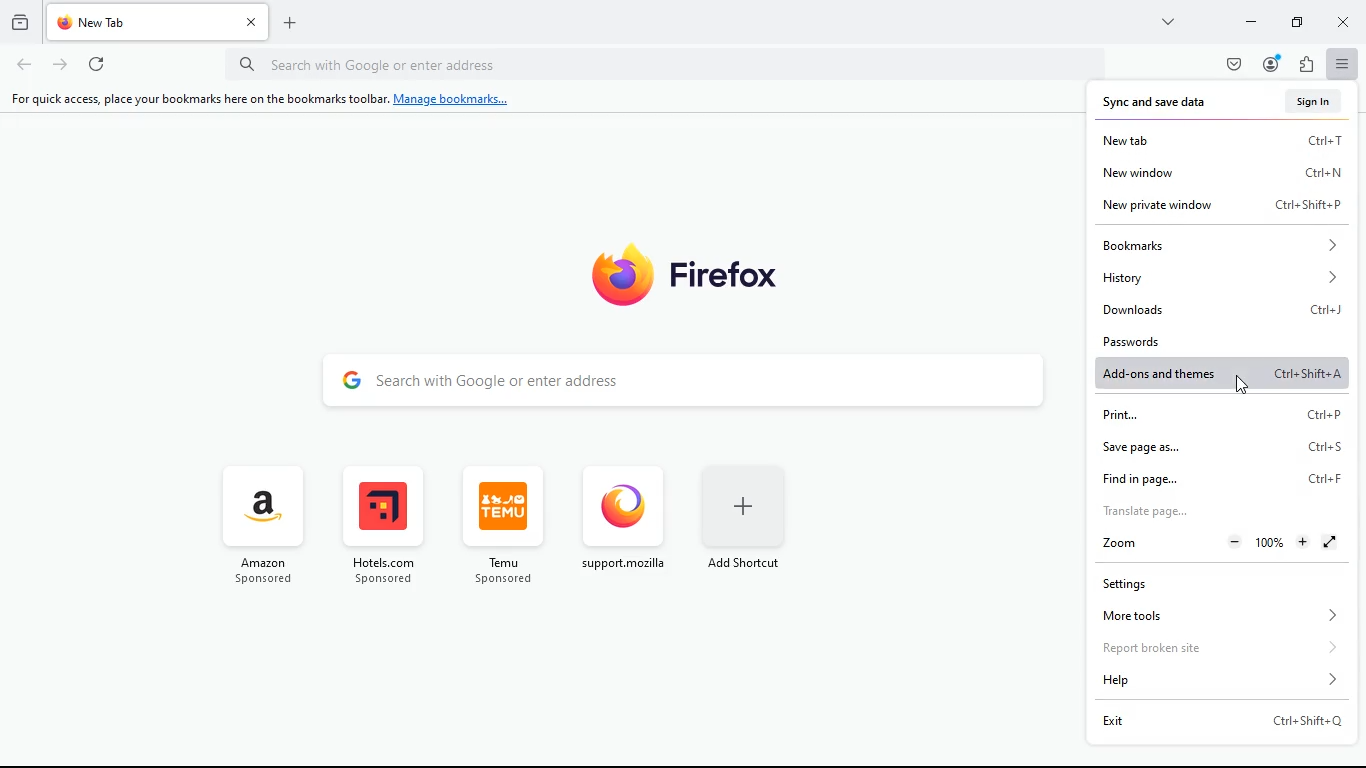  Describe the element at coordinates (290, 23) in the screenshot. I see `open new tab` at that location.